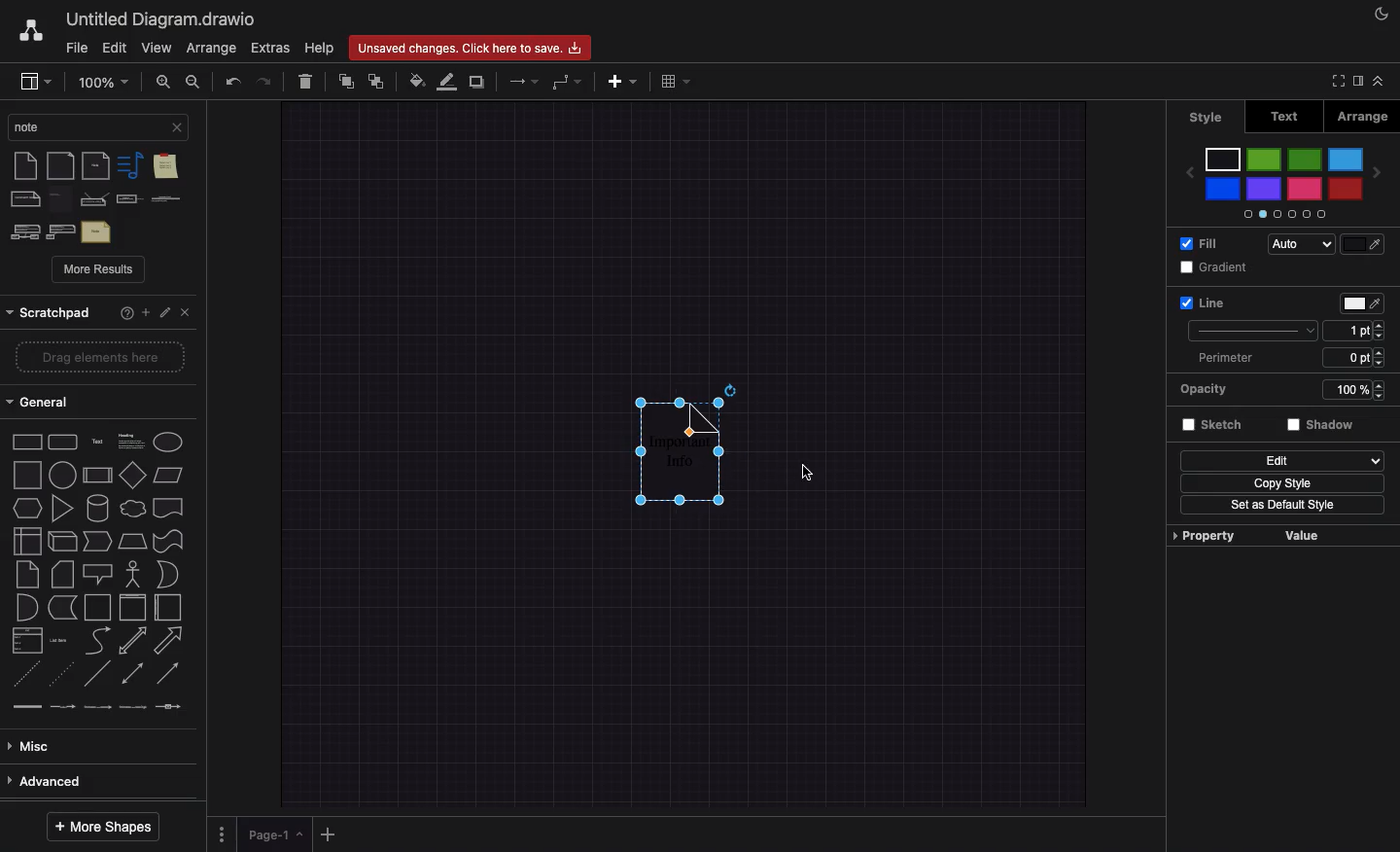  What do you see at coordinates (730, 388) in the screenshot?
I see `rotate ` at bounding box center [730, 388].